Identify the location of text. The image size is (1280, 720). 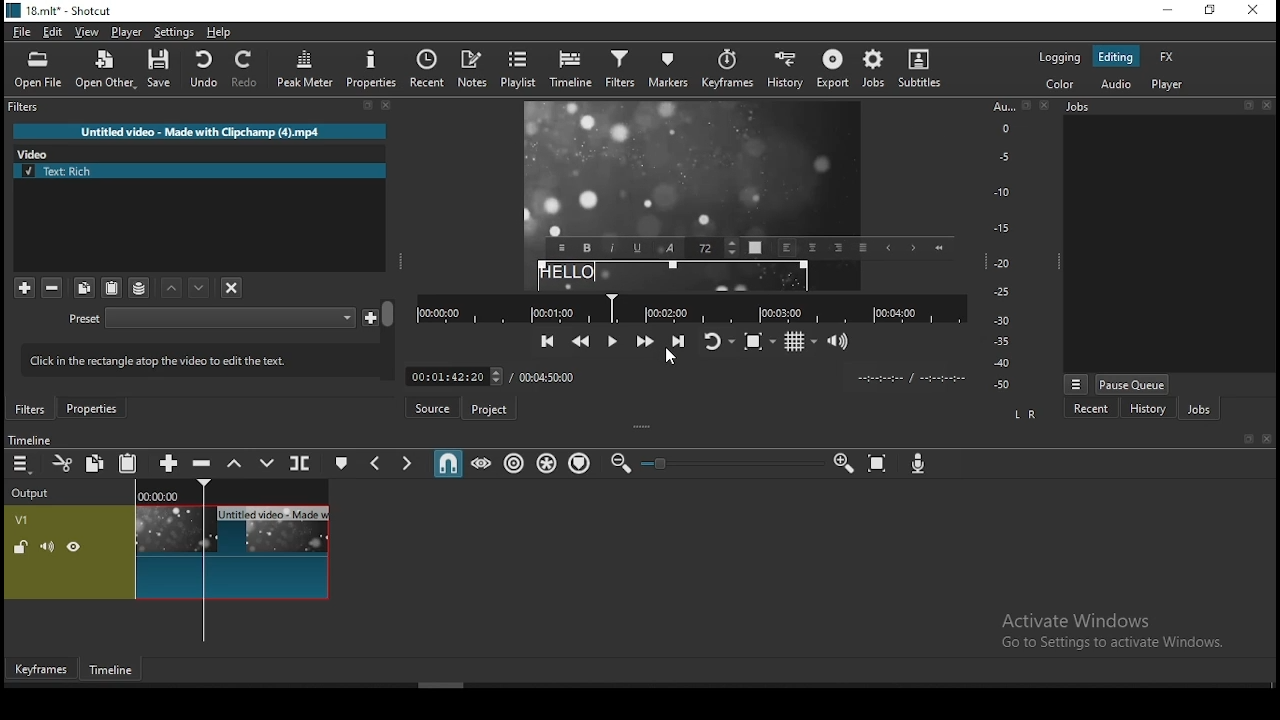
(673, 276).